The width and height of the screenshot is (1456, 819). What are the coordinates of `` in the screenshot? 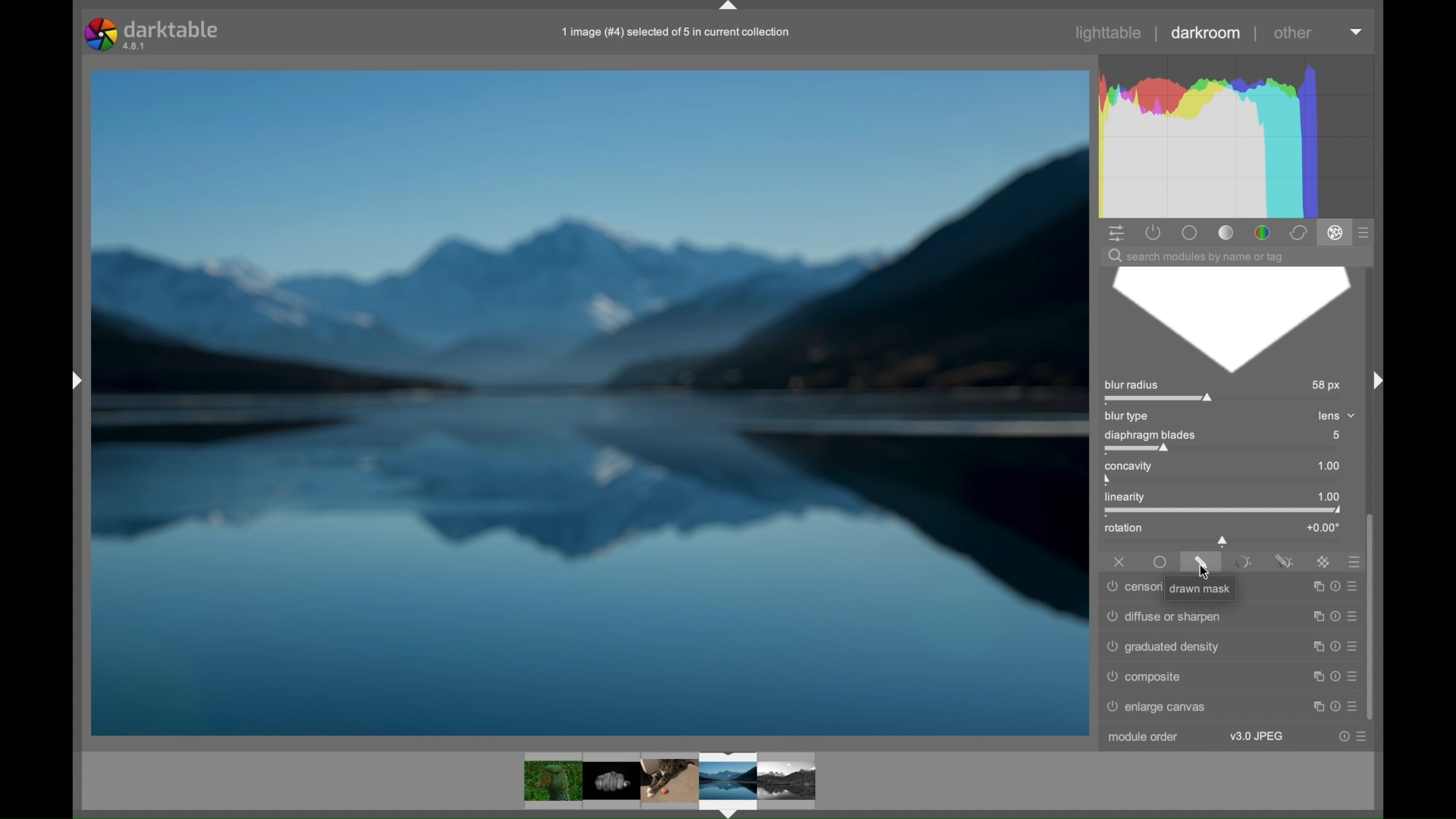 It's located at (67, 382).